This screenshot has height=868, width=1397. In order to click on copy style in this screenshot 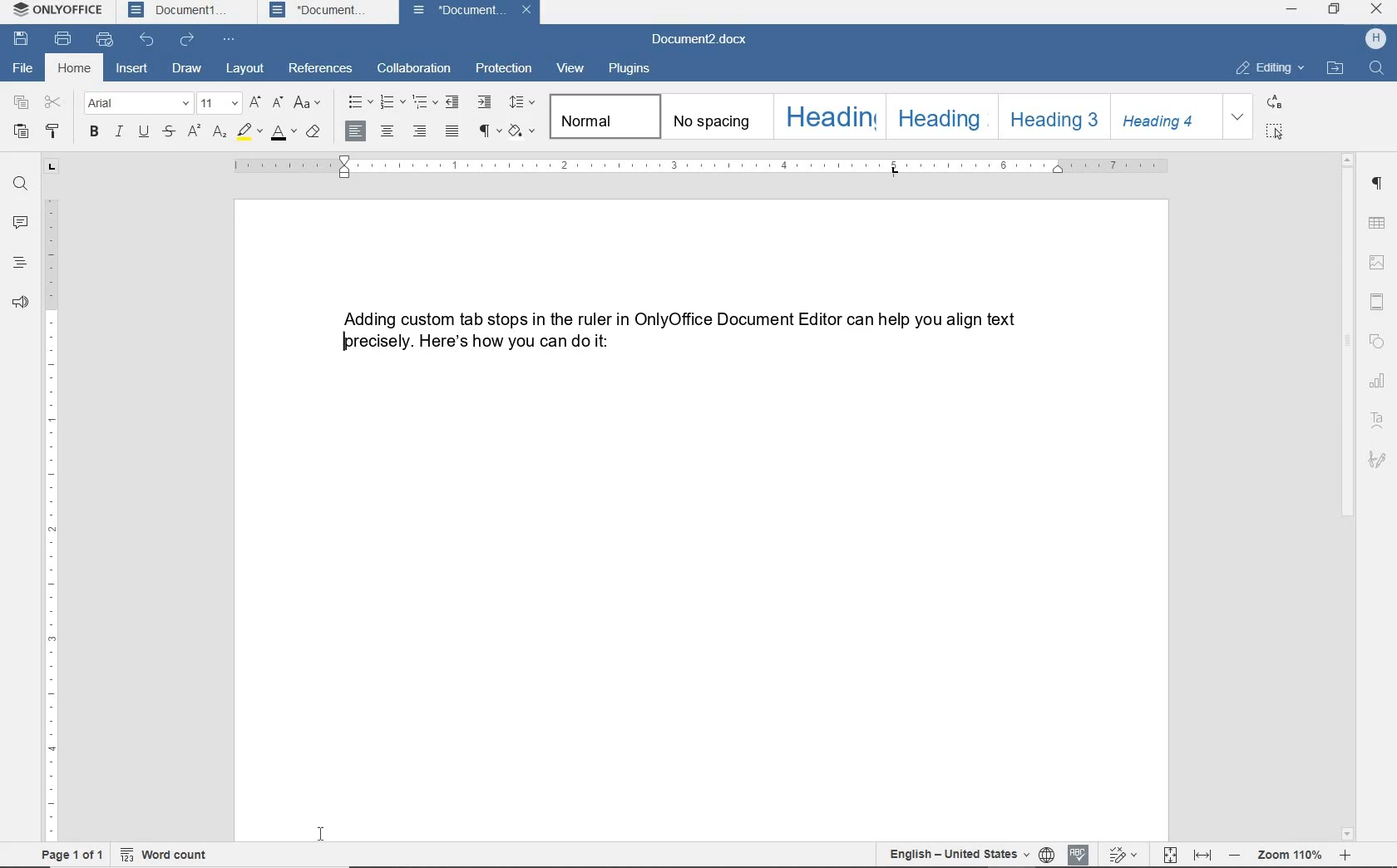, I will do `click(51, 131)`.